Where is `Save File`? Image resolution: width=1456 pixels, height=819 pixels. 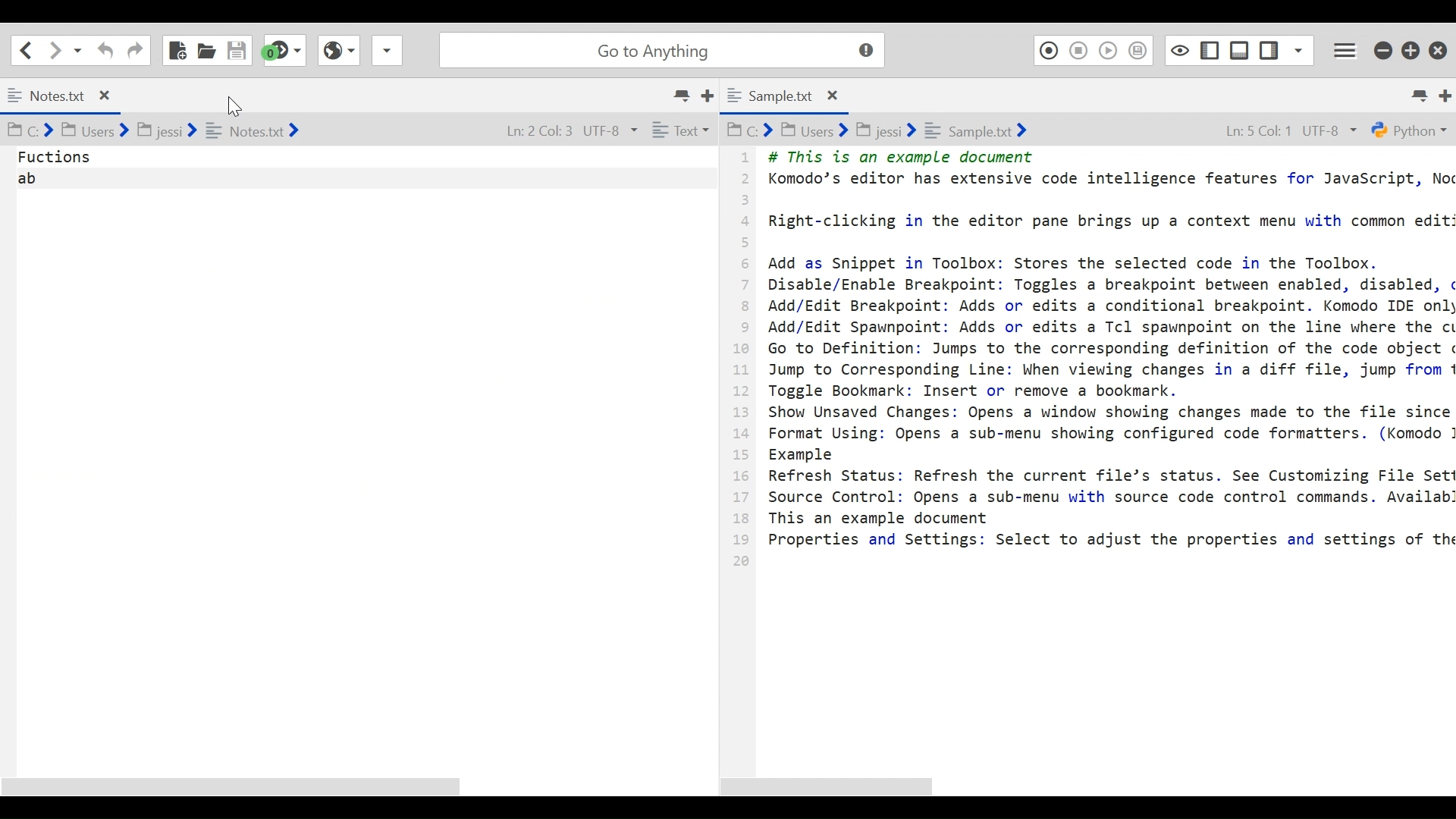
Save File is located at coordinates (237, 49).